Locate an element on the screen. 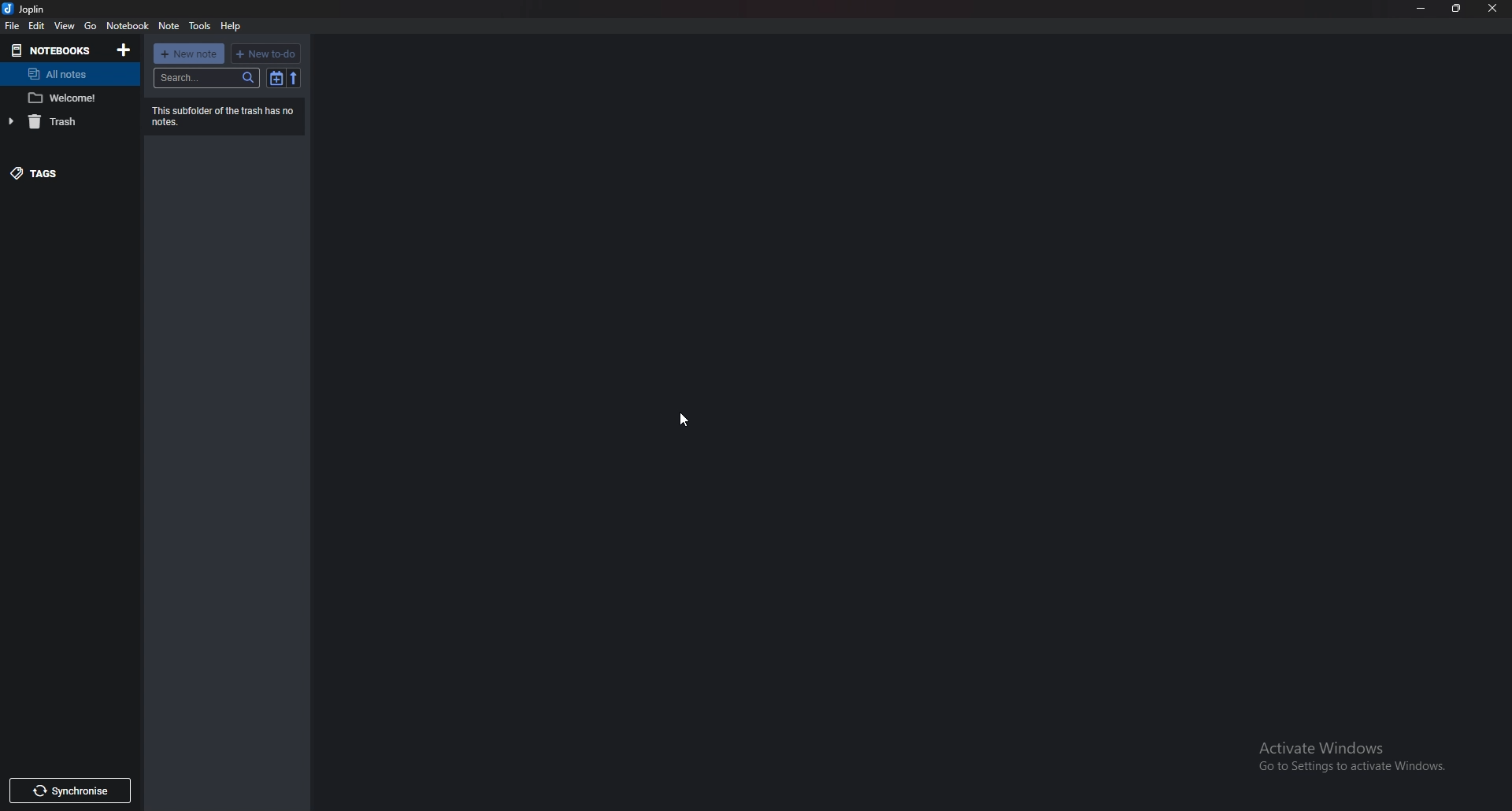 Image resolution: width=1512 pixels, height=811 pixels. Cursor is located at coordinates (686, 417).